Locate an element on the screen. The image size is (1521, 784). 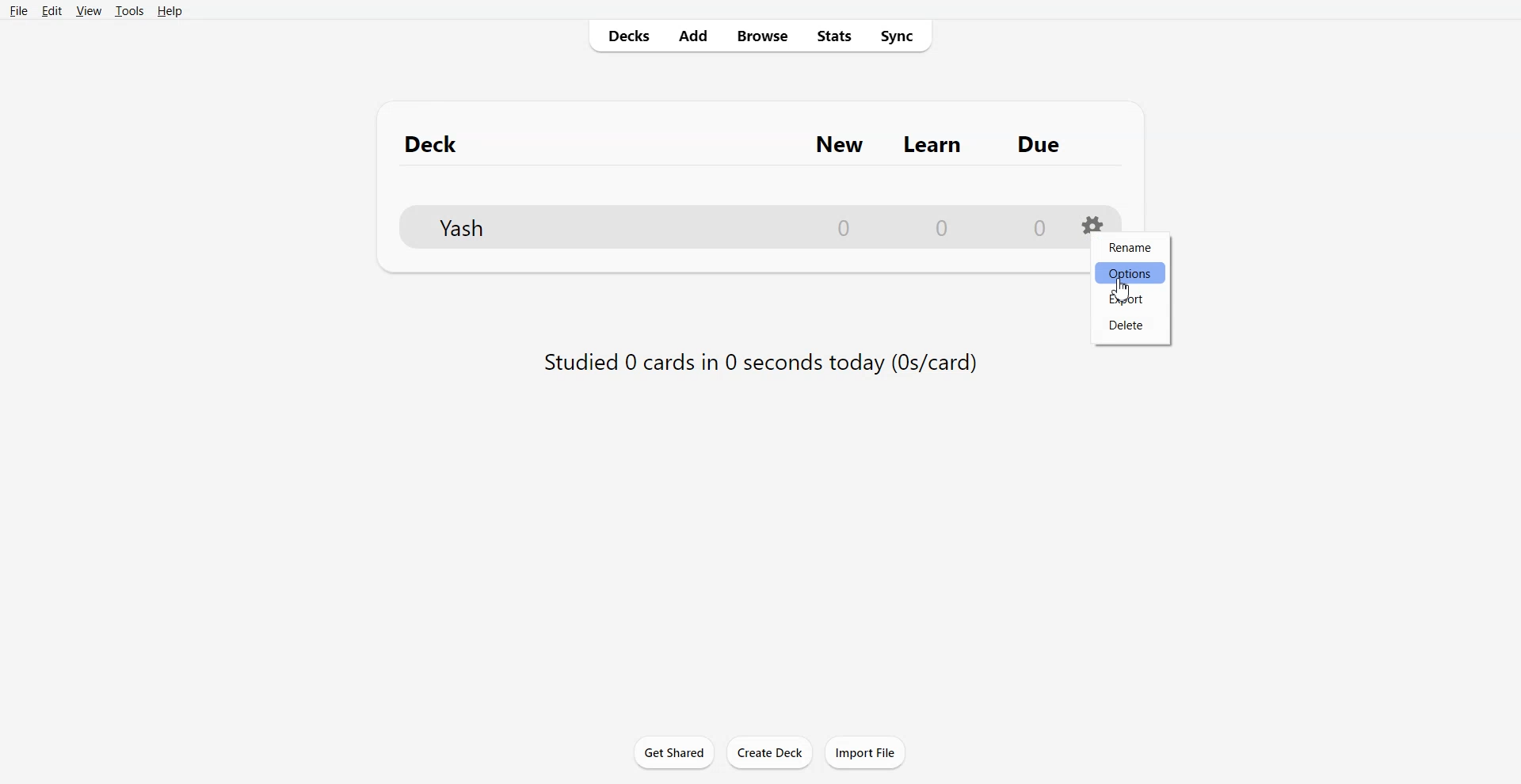
File is located at coordinates (726, 226).